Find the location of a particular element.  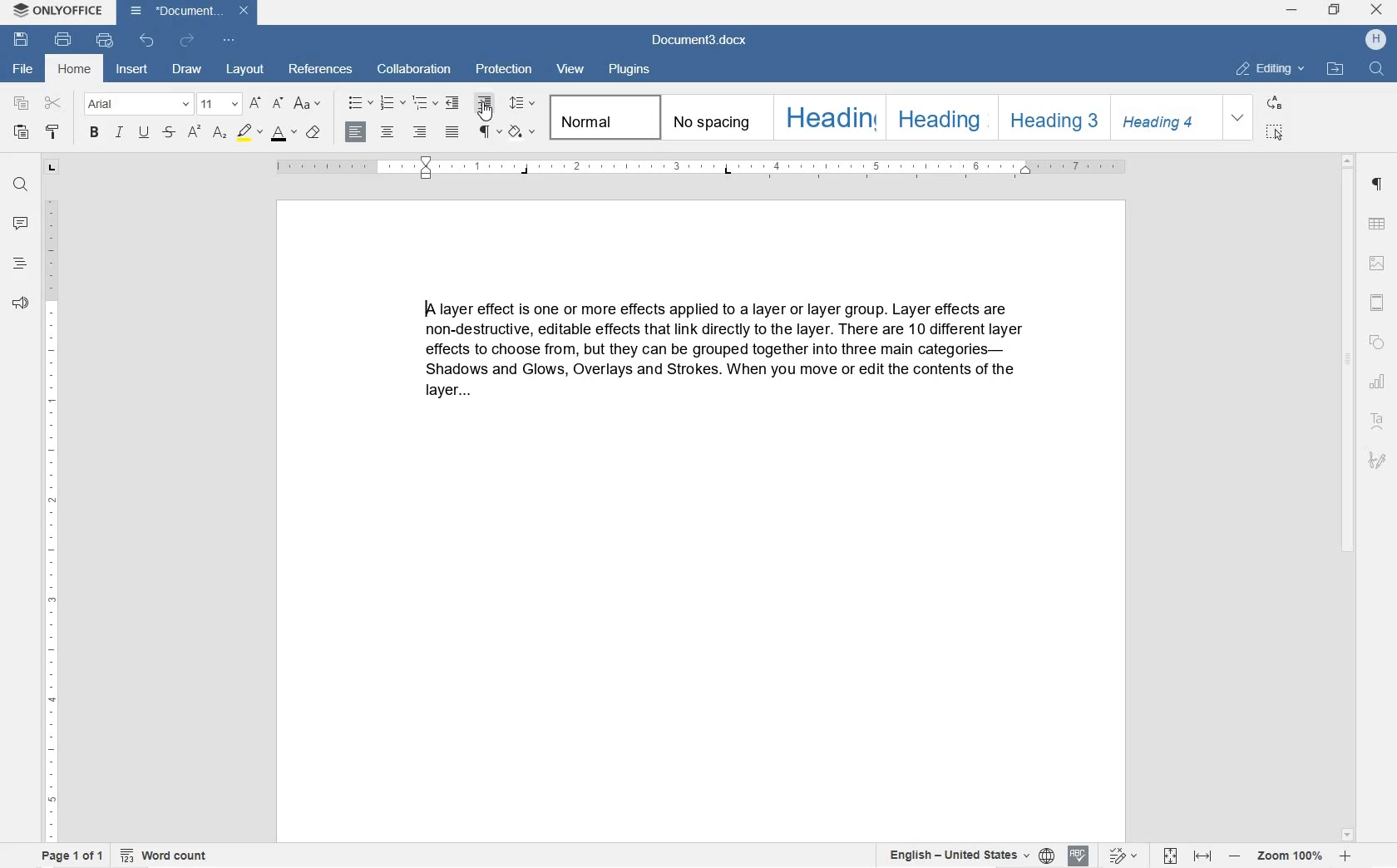

FILE is located at coordinates (23, 70).